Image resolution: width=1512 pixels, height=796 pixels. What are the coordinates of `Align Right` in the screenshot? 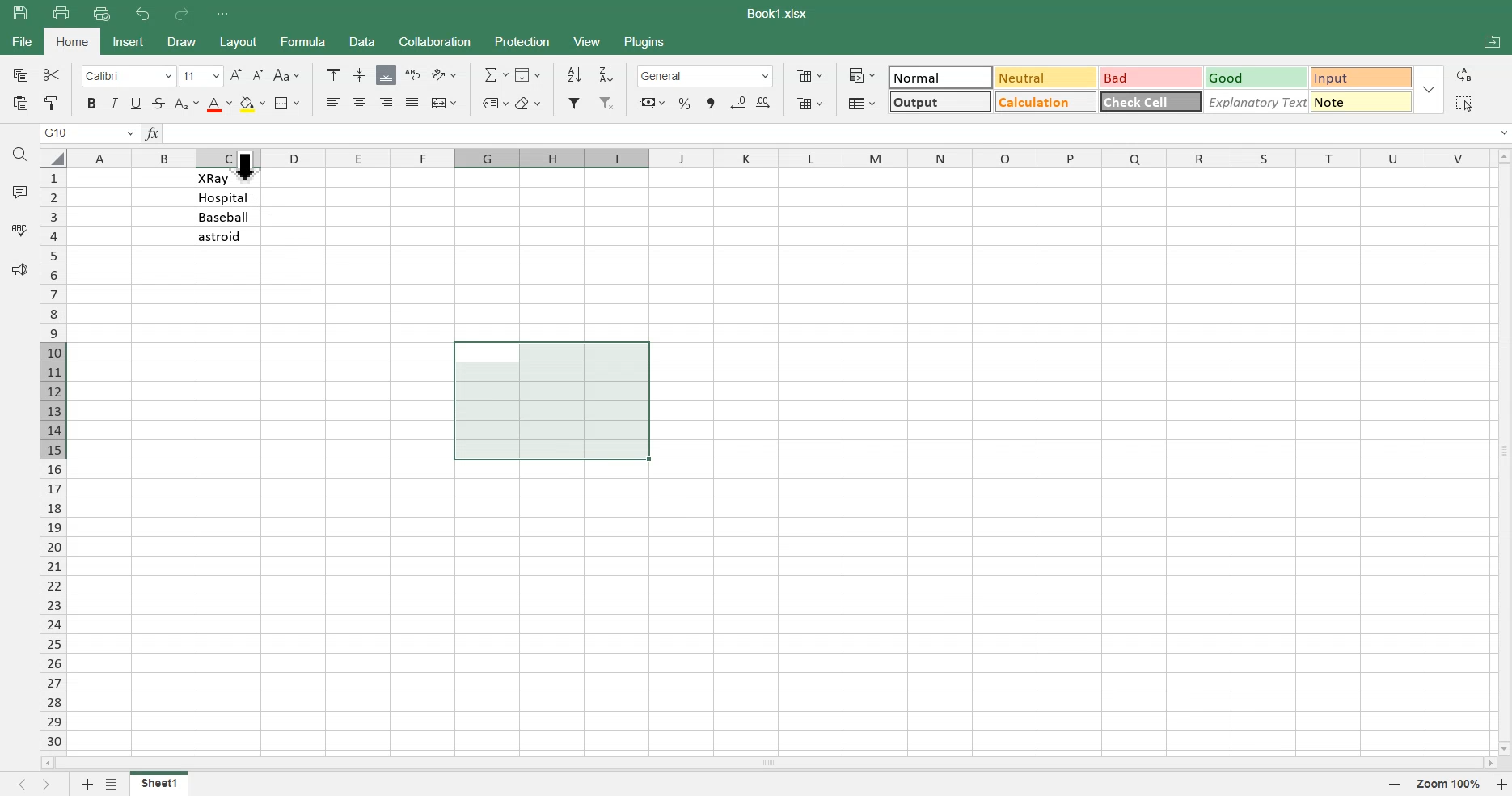 It's located at (387, 103).